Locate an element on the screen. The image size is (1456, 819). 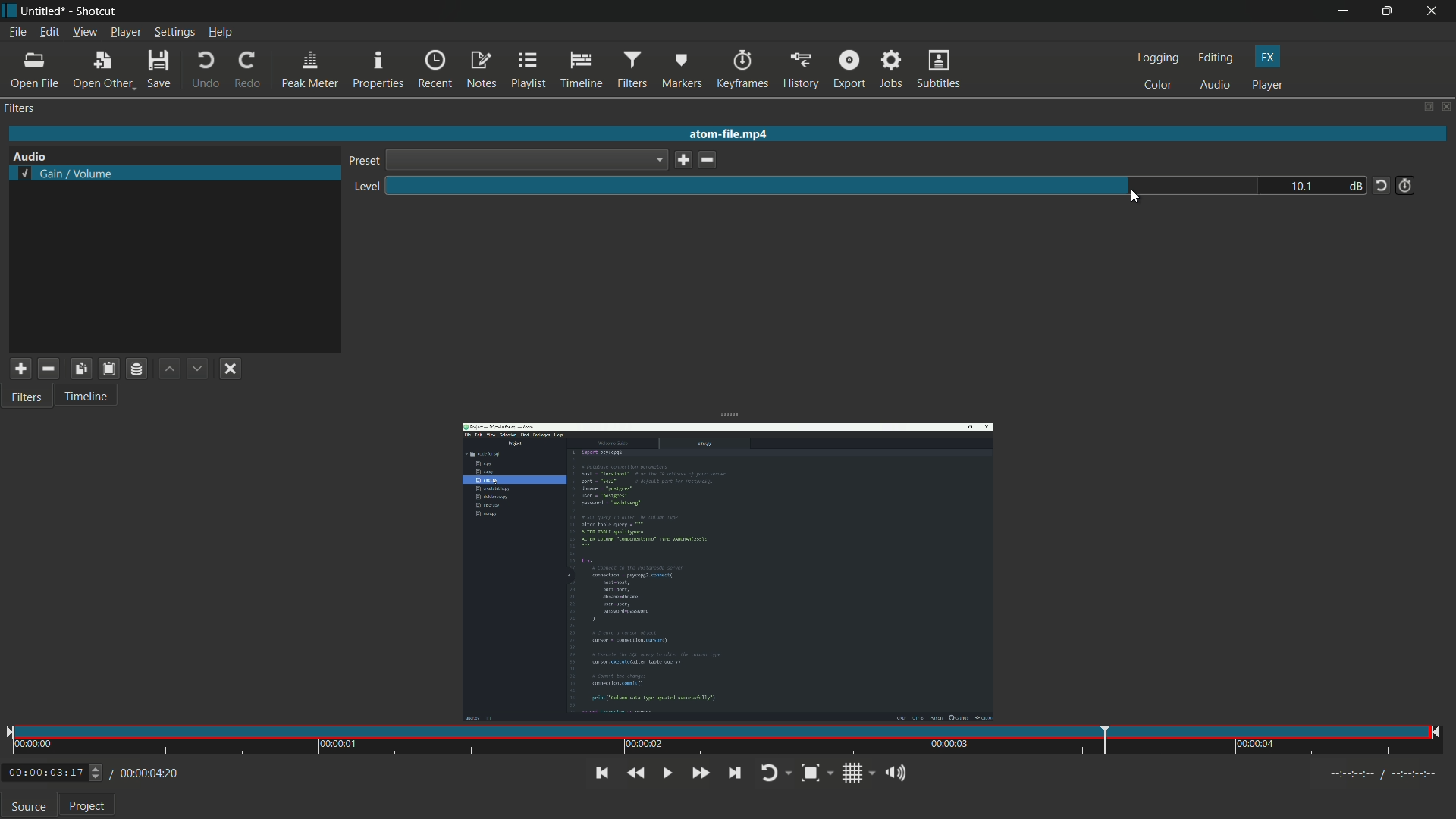
quickly play backward is located at coordinates (635, 773).